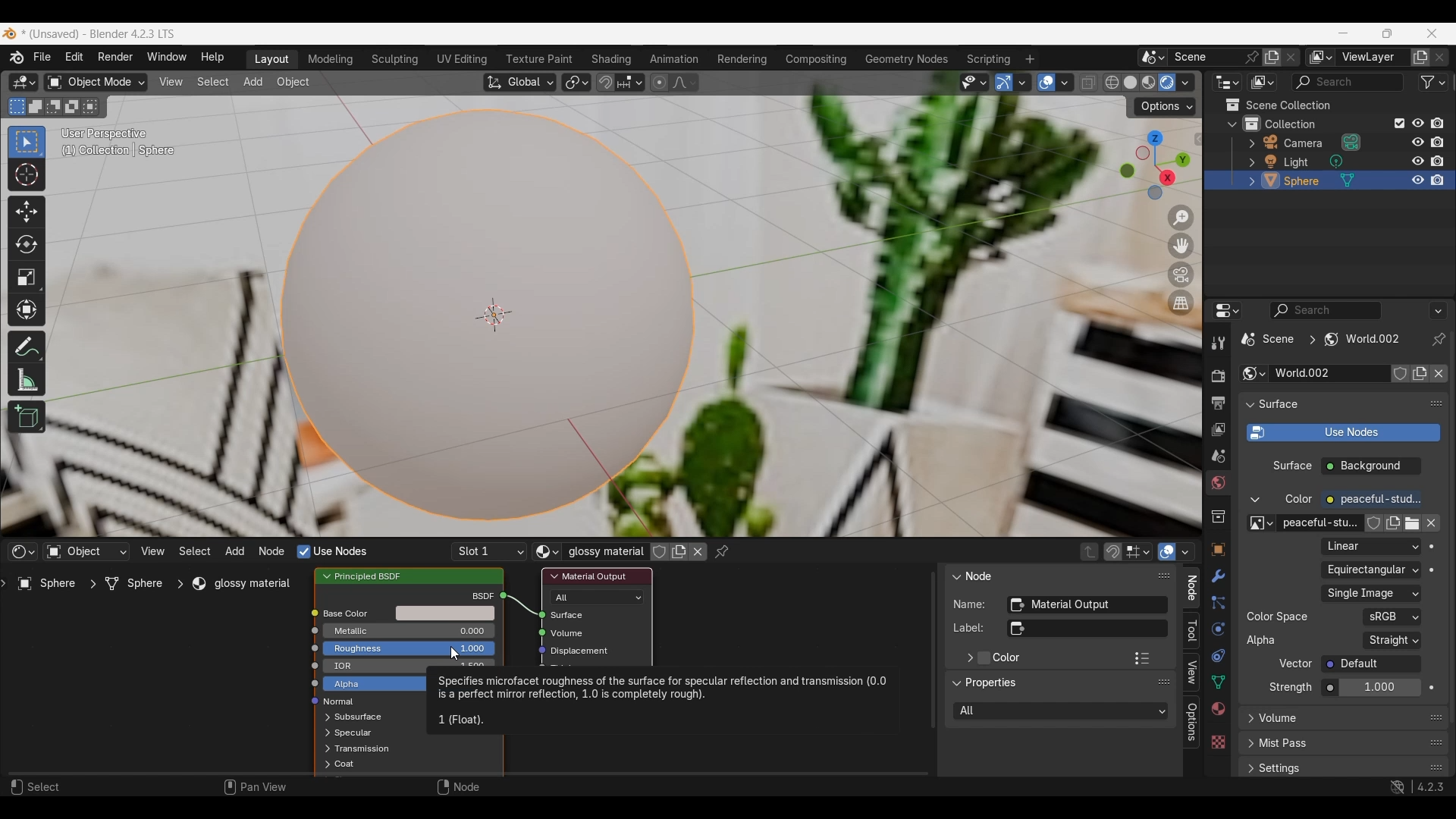  Describe the element at coordinates (1371, 594) in the screenshot. I see `Image file` at that location.